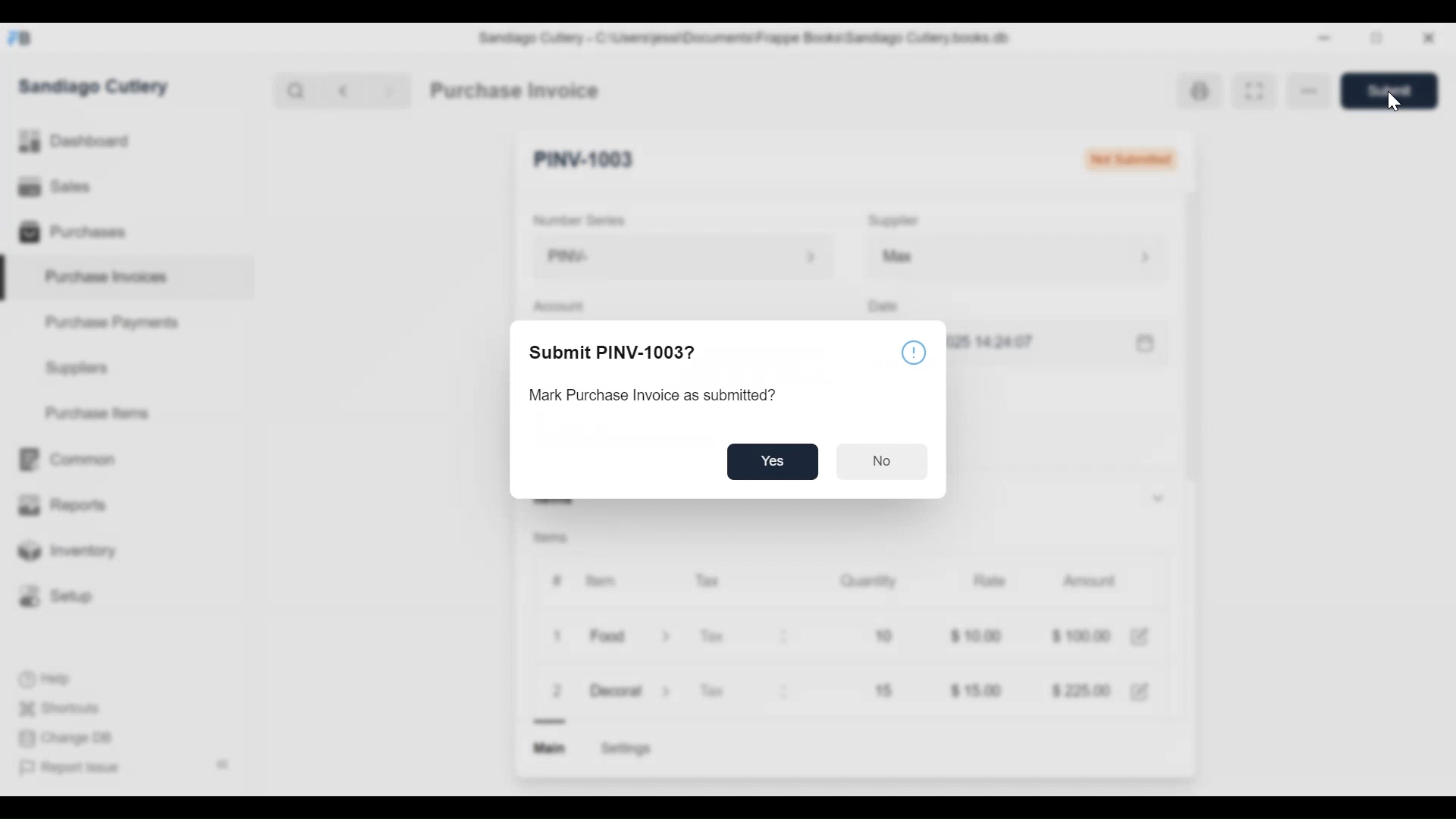 The image size is (1456, 819). Describe the element at coordinates (1393, 104) in the screenshot. I see `Cursor` at that location.